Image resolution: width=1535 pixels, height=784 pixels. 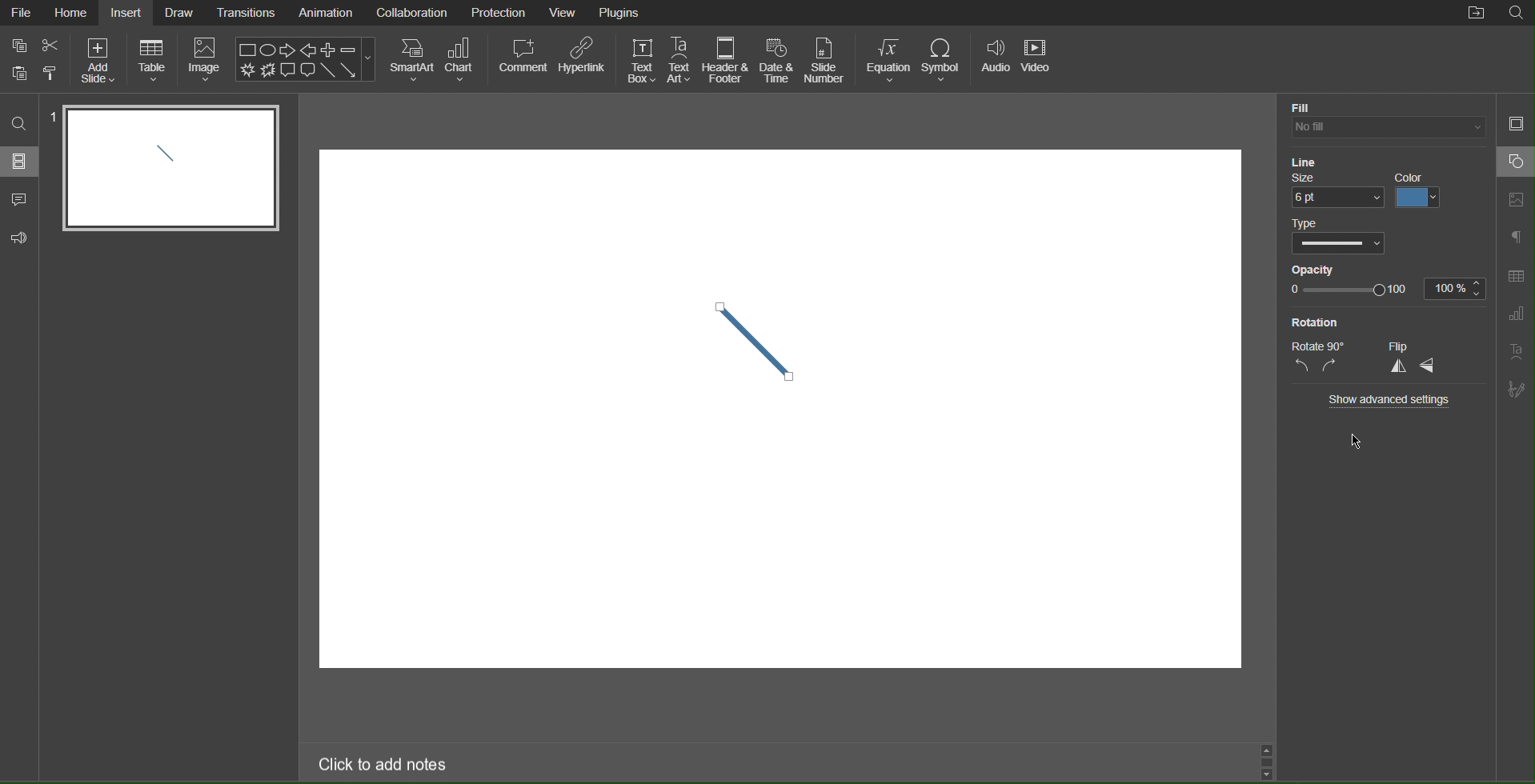 What do you see at coordinates (182, 13) in the screenshot?
I see `Draw` at bounding box center [182, 13].